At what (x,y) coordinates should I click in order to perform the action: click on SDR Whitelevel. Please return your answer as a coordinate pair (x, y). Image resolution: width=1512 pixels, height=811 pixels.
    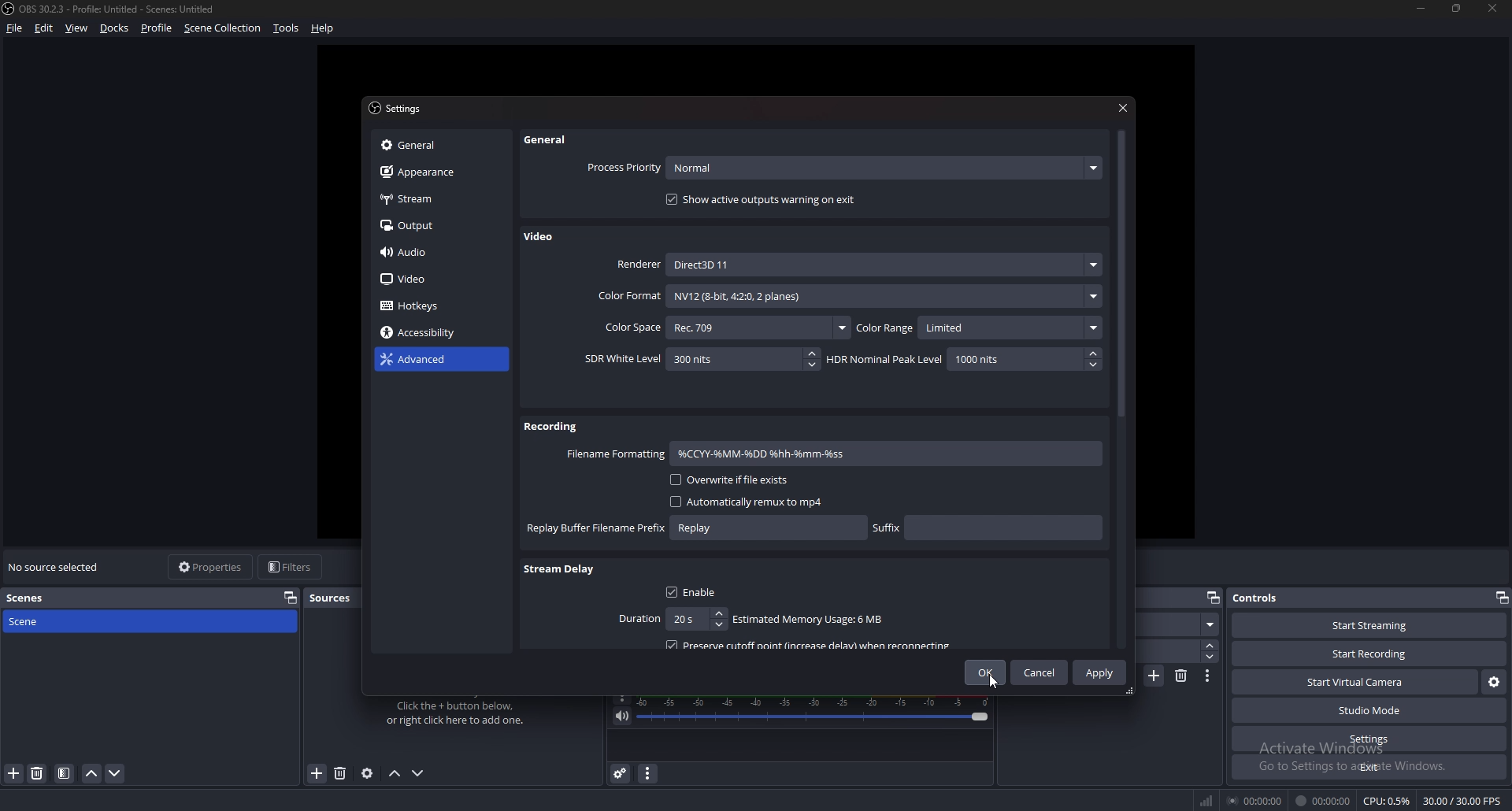
    Looking at the image, I should click on (702, 359).